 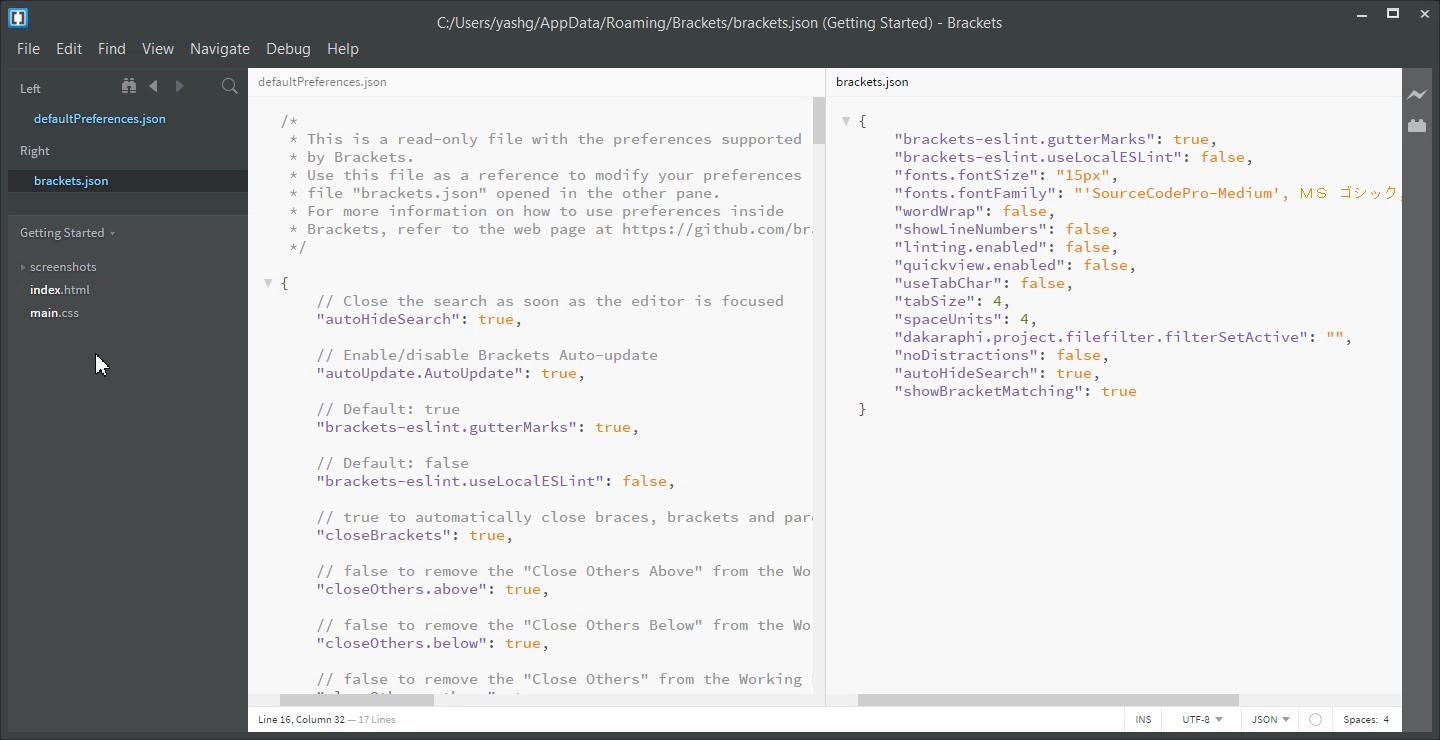 I want to click on Extension Manager, so click(x=1418, y=125).